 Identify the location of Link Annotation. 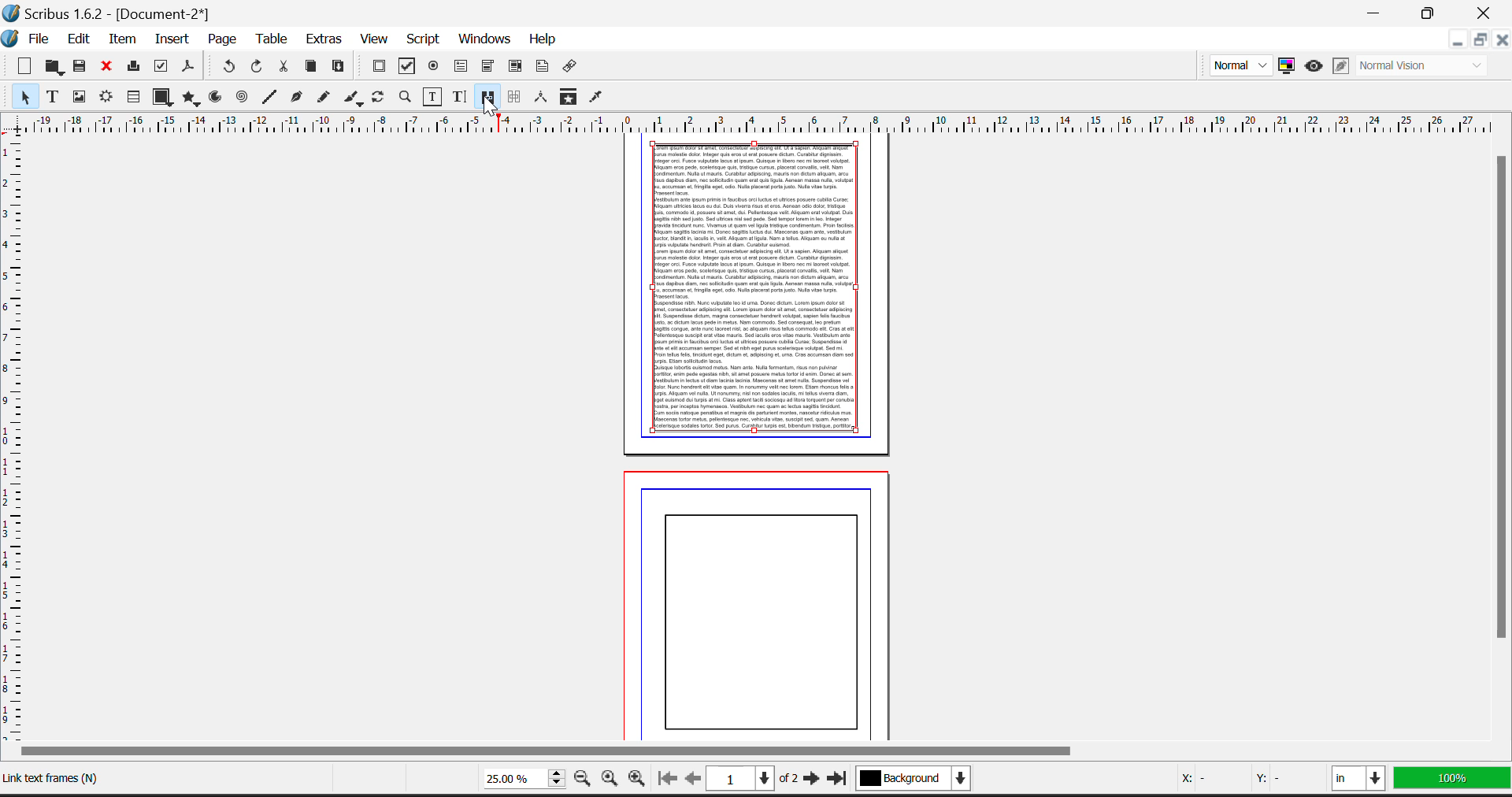
(573, 69).